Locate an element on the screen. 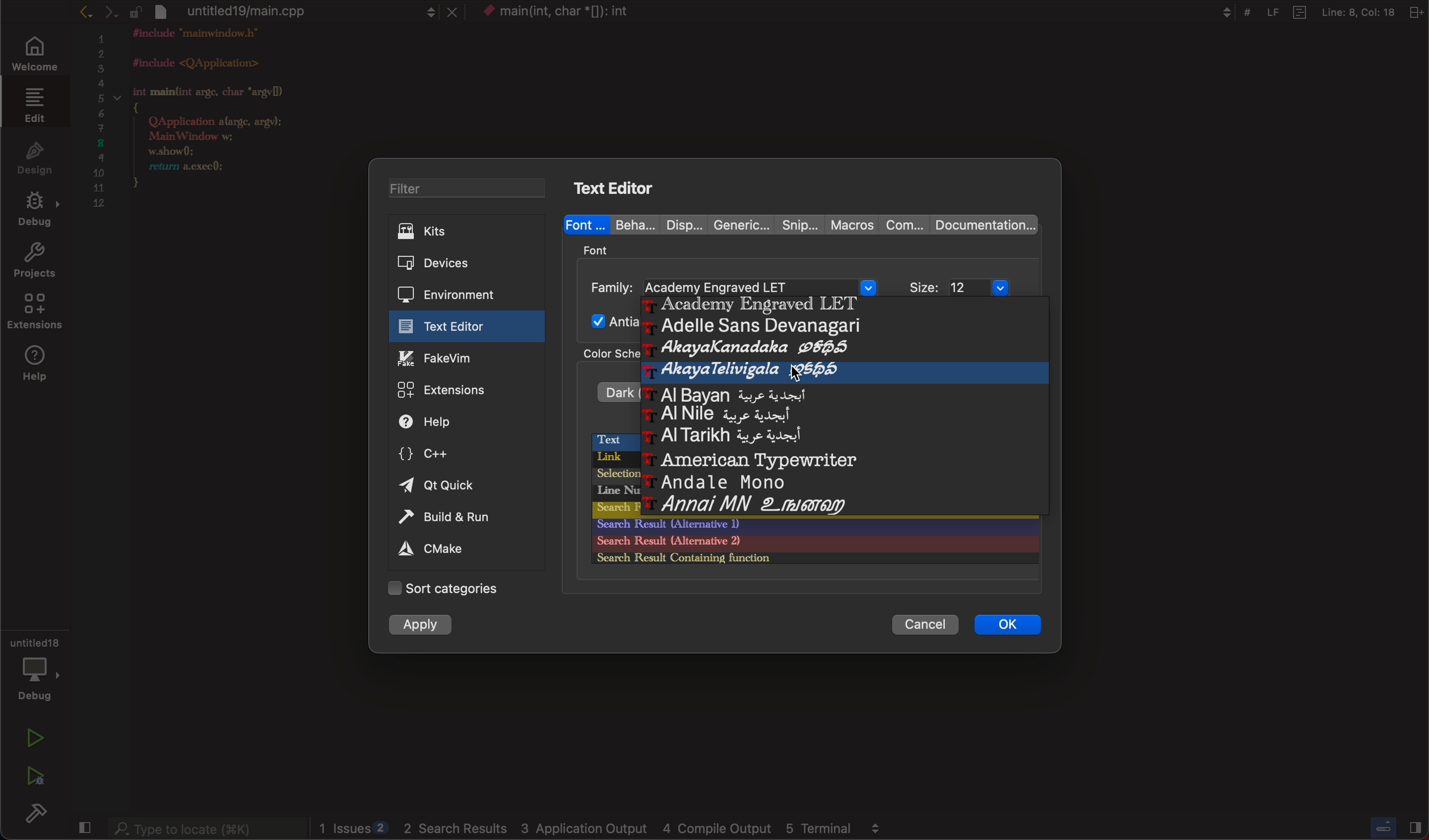 The height and width of the screenshot is (840, 1429). cancel is located at coordinates (919, 624).